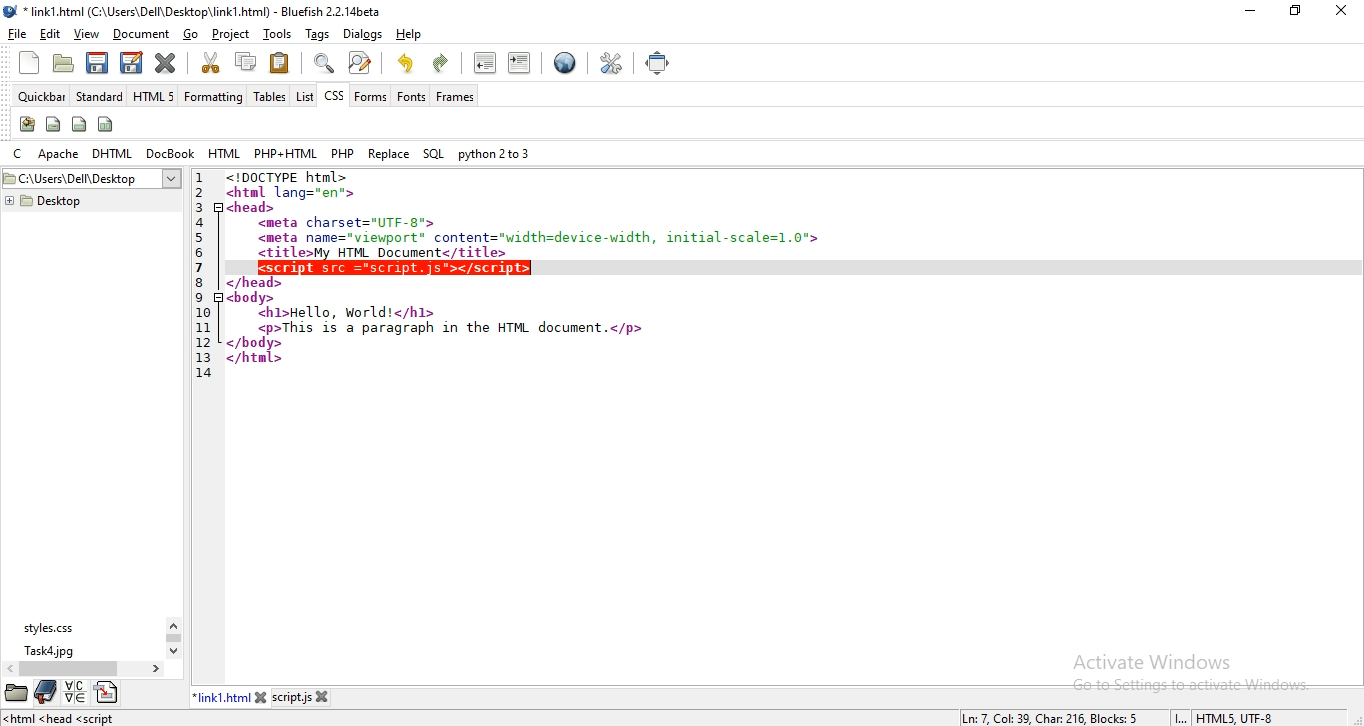 The height and width of the screenshot is (726, 1364). Describe the element at coordinates (107, 692) in the screenshot. I see `directory` at that location.